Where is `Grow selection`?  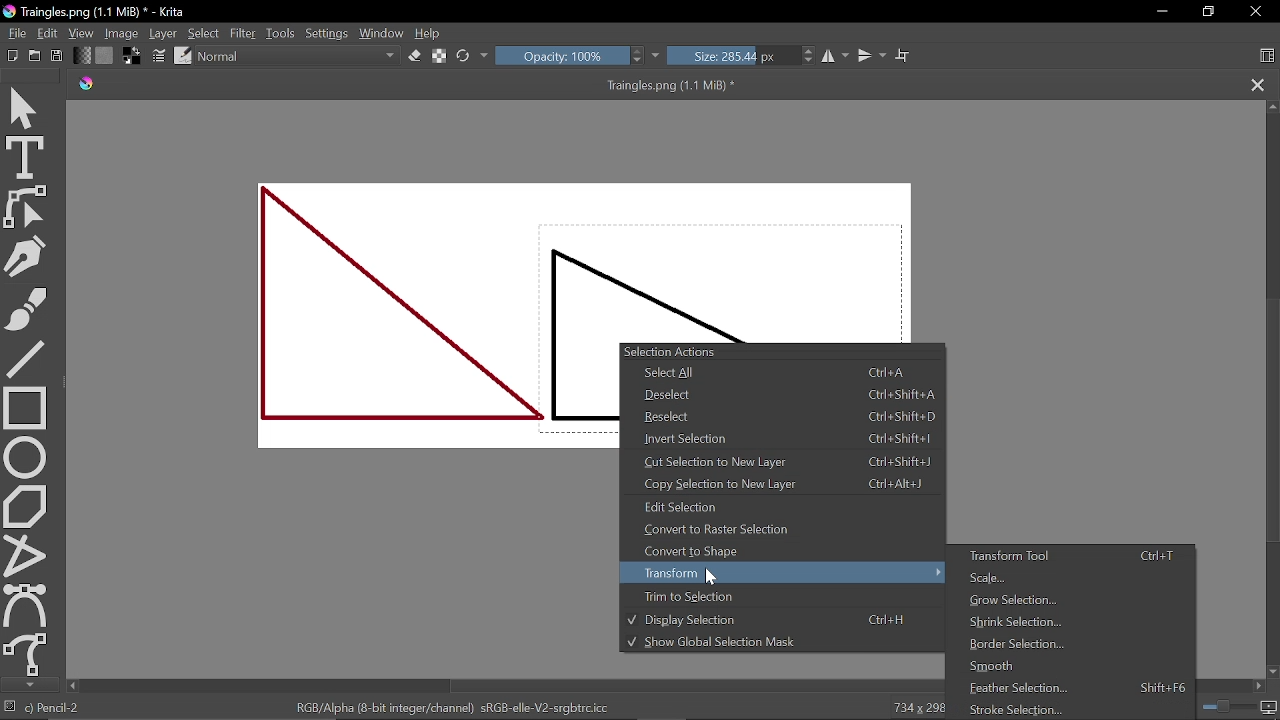 Grow selection is located at coordinates (1063, 601).